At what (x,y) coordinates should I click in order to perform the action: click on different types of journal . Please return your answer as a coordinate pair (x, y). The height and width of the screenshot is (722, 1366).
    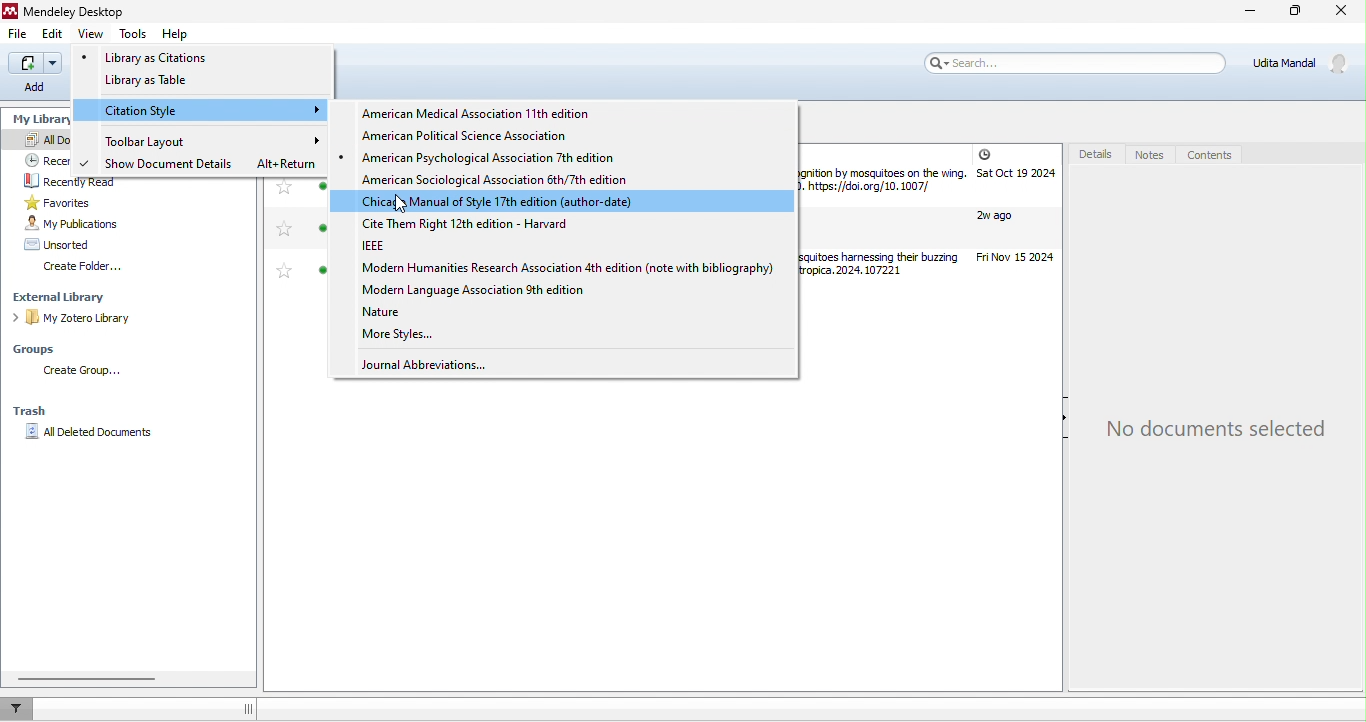
    Looking at the image, I should click on (883, 220).